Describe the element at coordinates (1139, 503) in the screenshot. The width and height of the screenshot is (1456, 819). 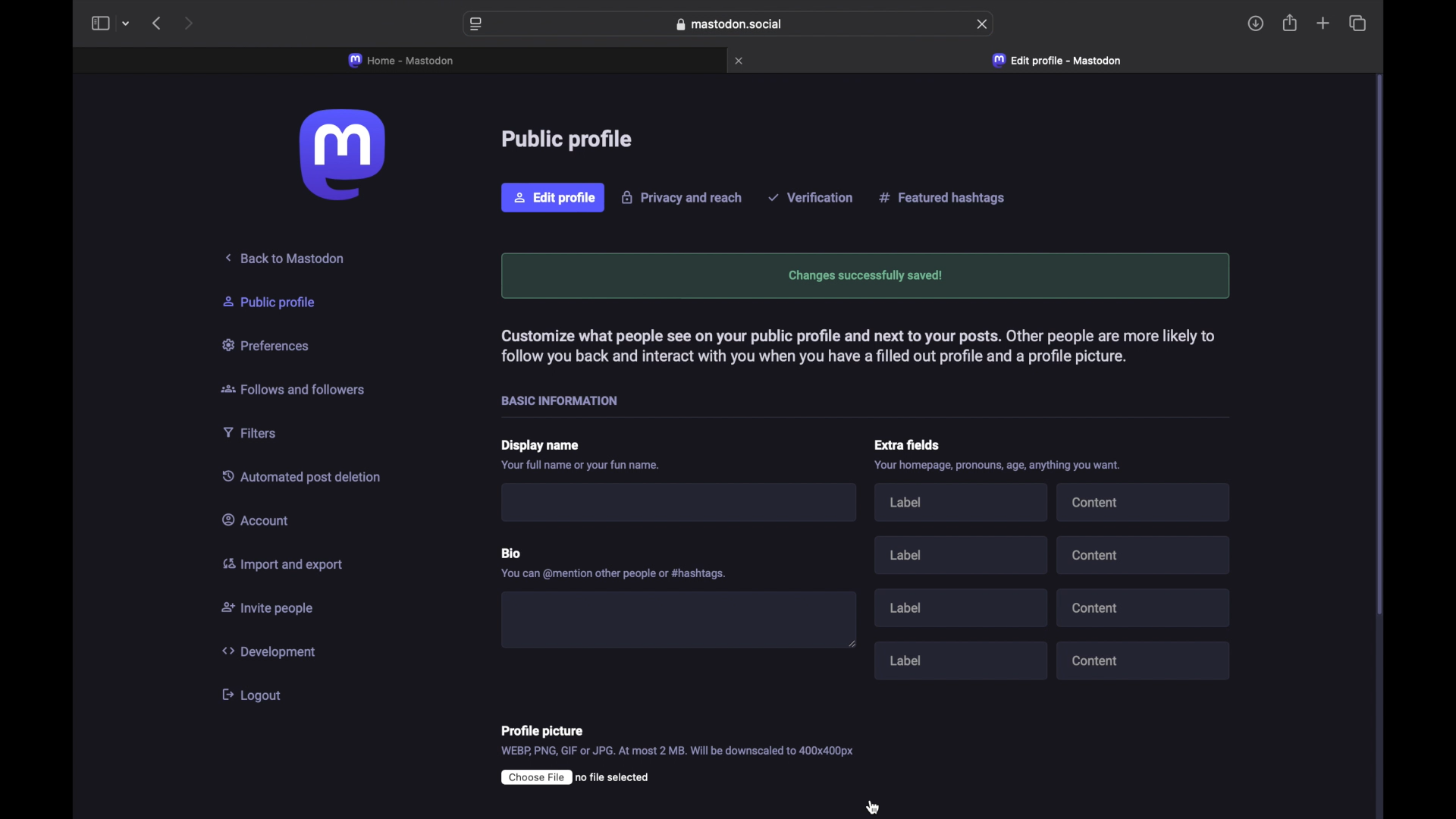
I see `content` at that location.